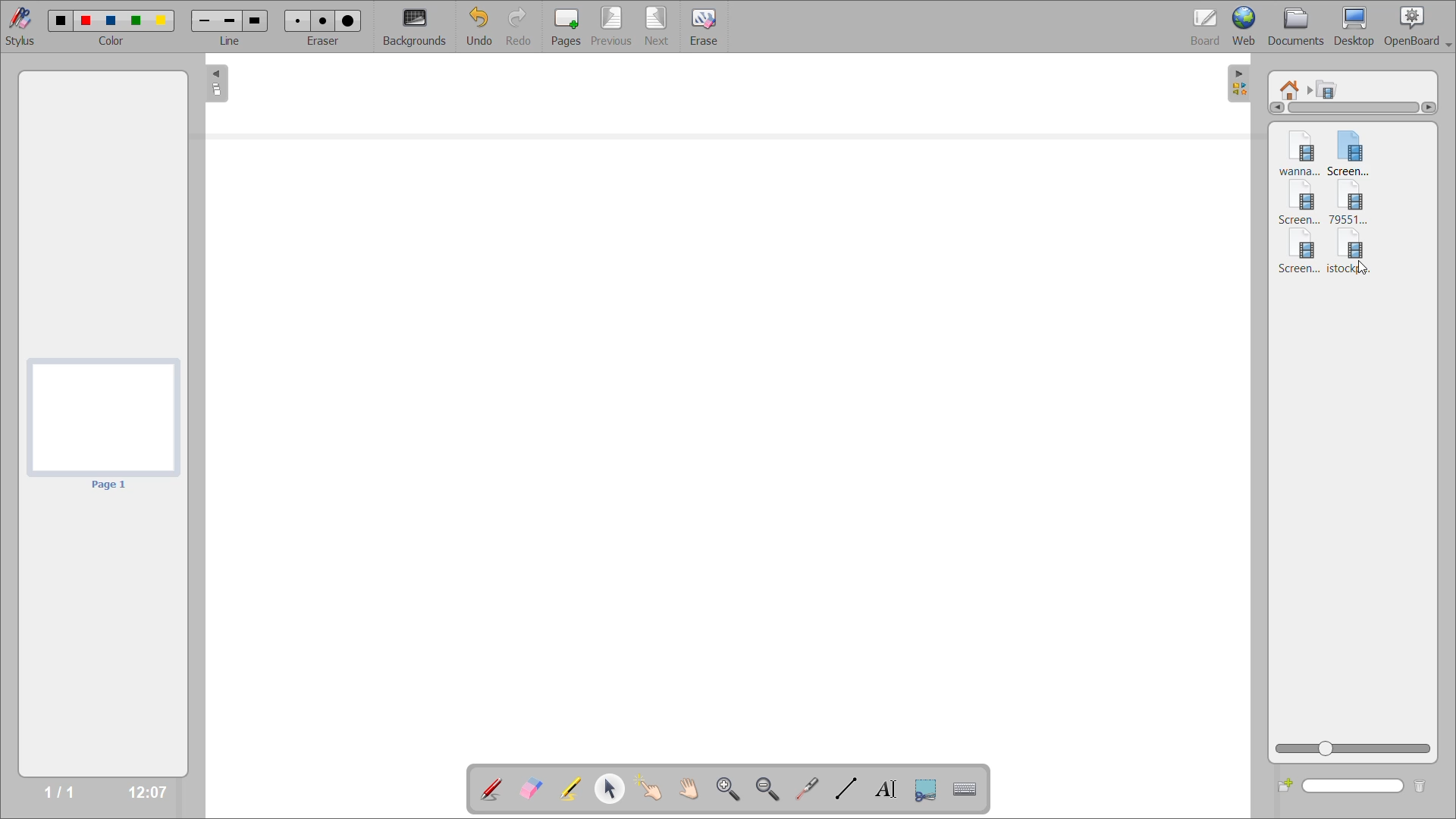 This screenshot has width=1456, height=819. I want to click on next, so click(656, 25).